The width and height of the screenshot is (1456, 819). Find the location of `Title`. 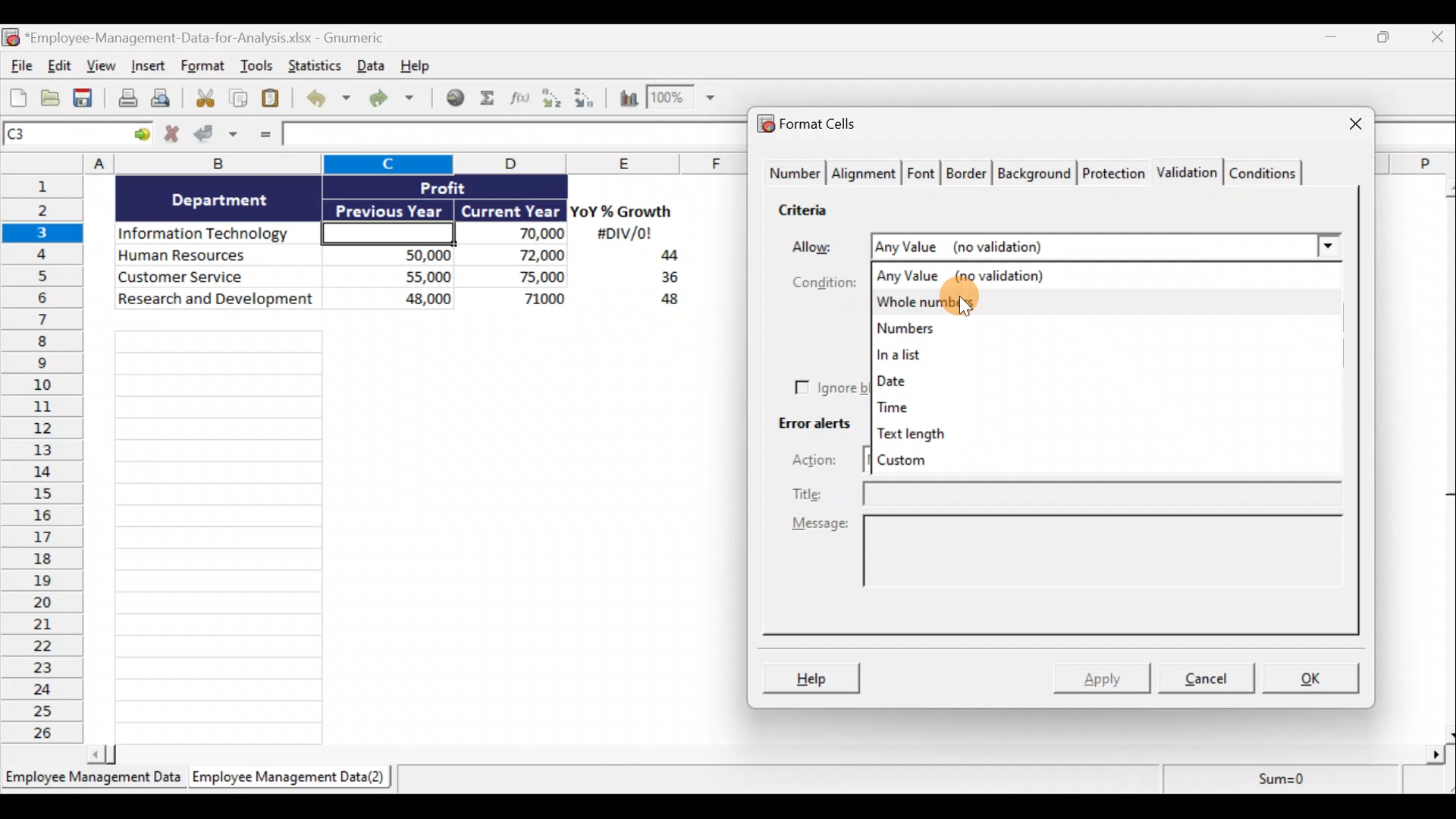

Title is located at coordinates (1072, 494).